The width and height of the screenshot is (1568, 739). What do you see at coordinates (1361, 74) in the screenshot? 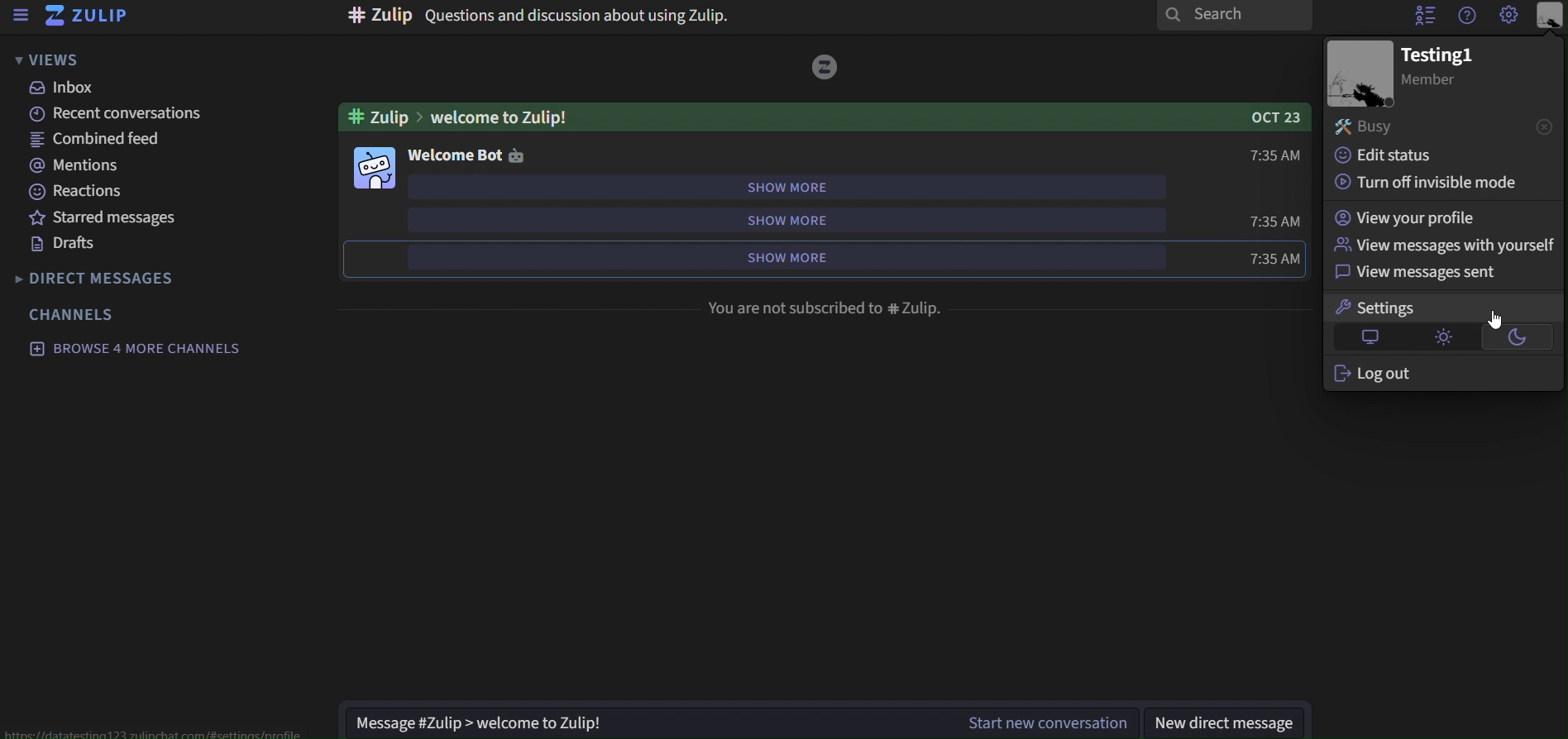
I see `image` at bounding box center [1361, 74].